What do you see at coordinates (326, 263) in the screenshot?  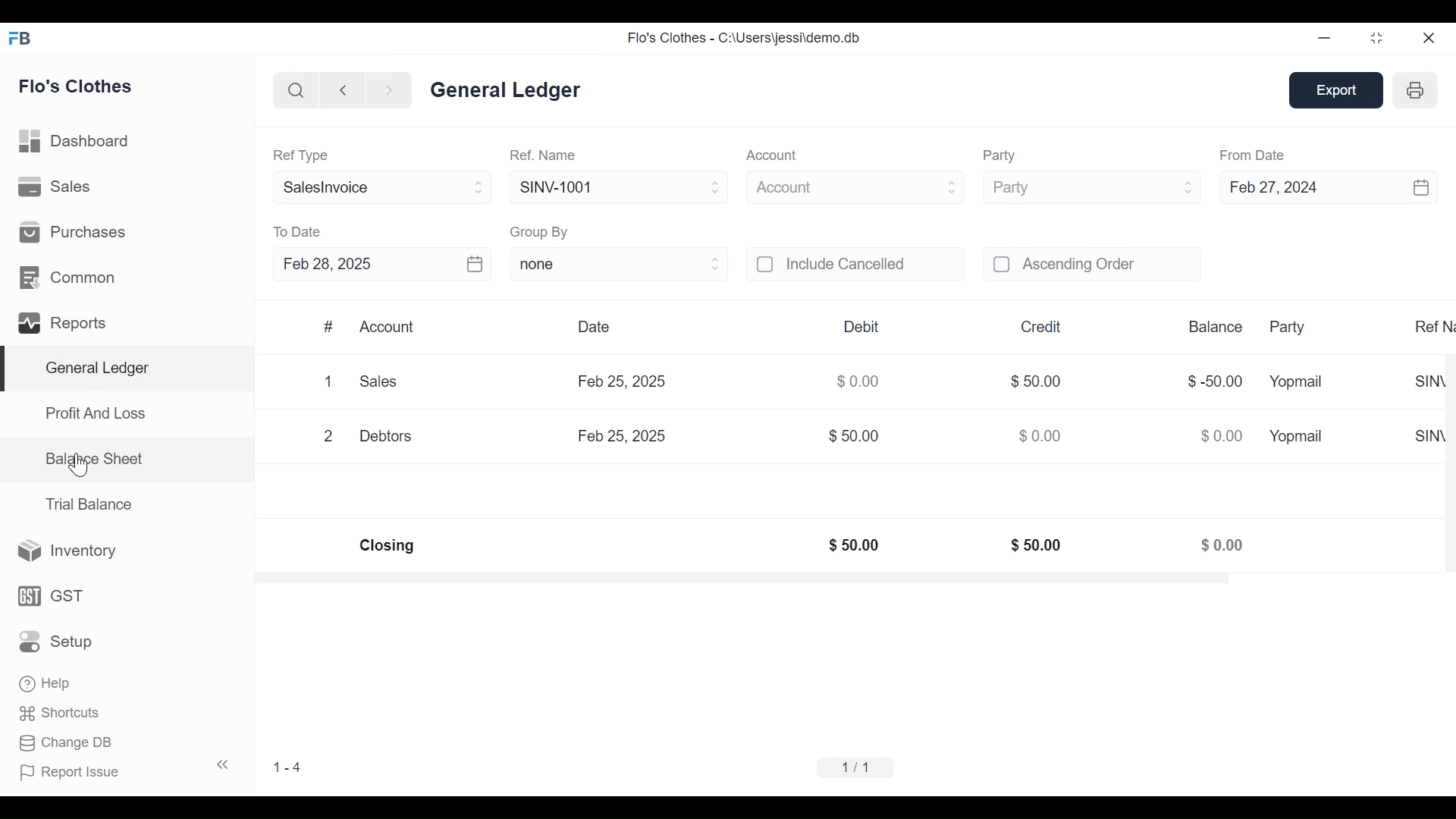 I see `Feb 28, 2025` at bounding box center [326, 263].